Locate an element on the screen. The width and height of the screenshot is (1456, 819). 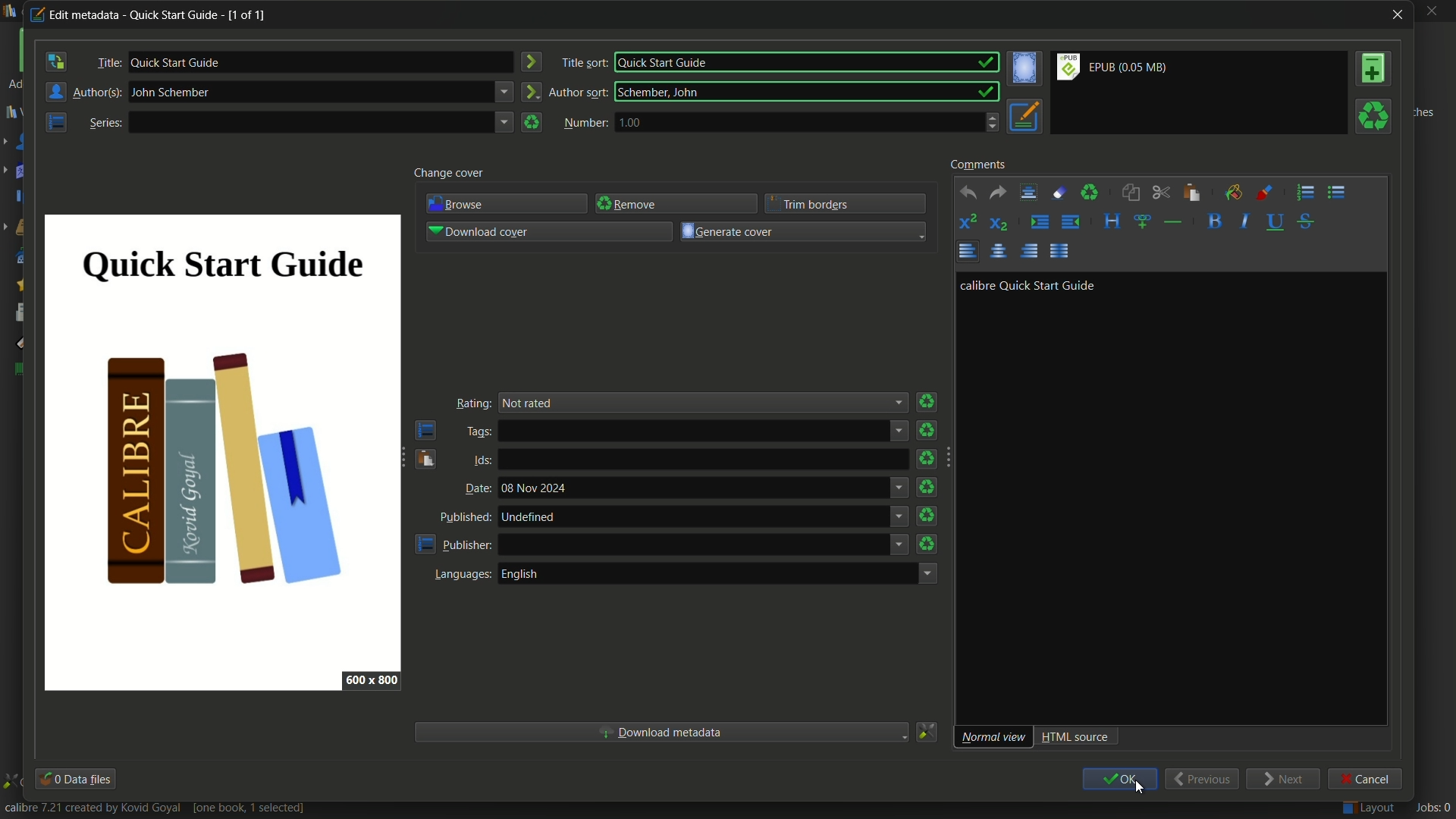
comments is located at coordinates (987, 164).